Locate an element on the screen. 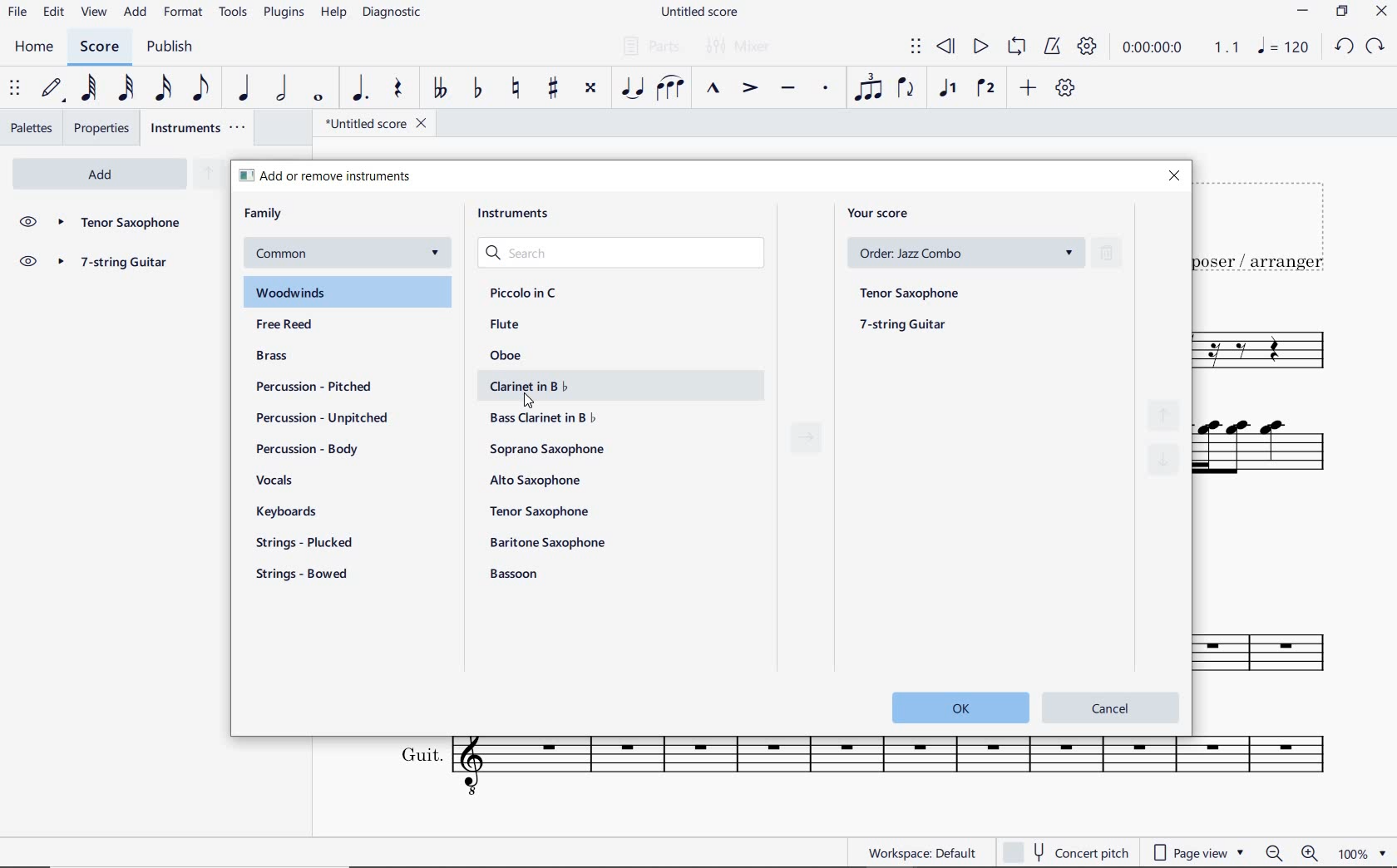 This screenshot has width=1397, height=868. VIEW is located at coordinates (96, 13).